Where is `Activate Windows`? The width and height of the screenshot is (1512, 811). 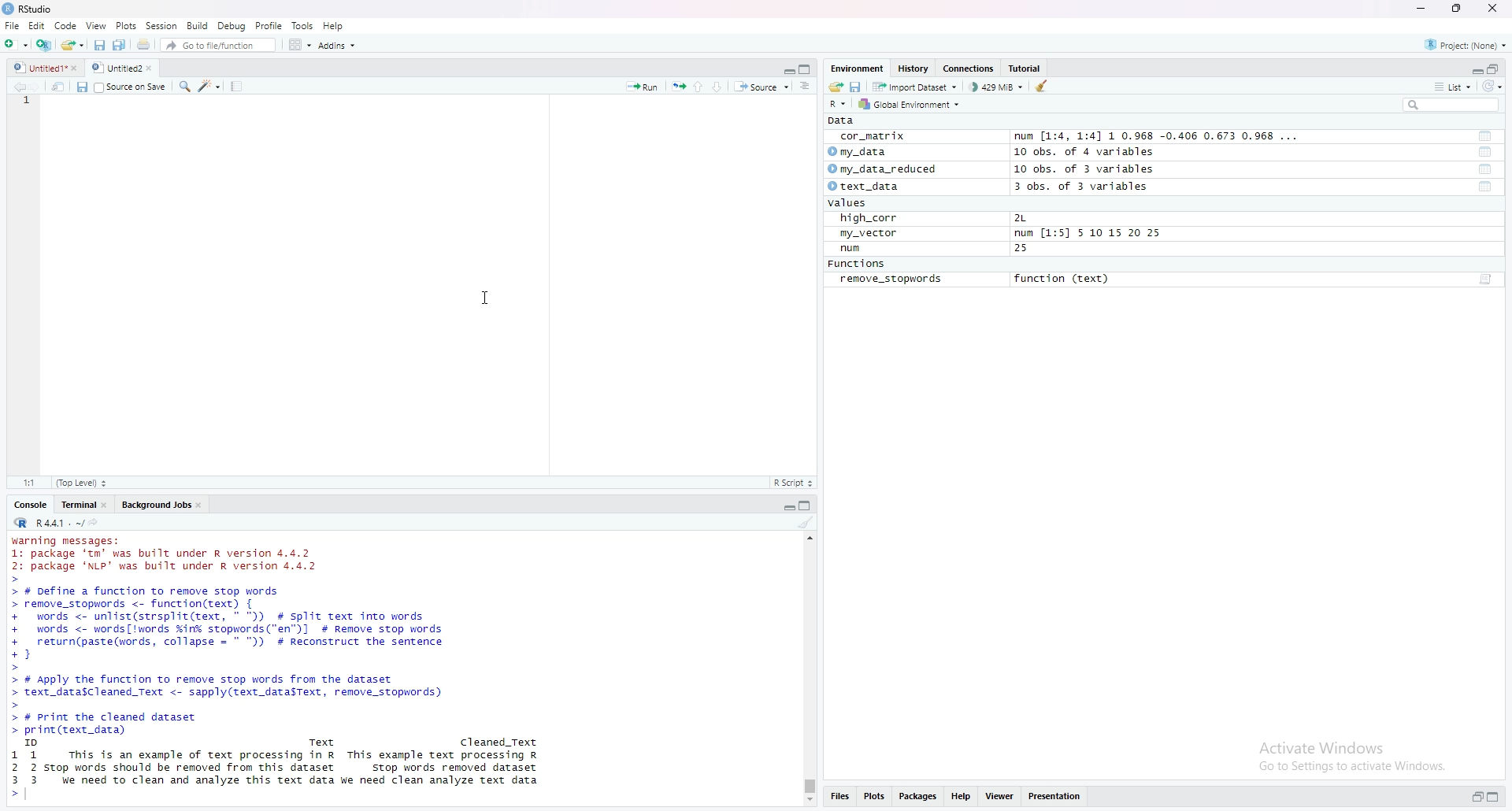 Activate Windows is located at coordinates (1319, 744).